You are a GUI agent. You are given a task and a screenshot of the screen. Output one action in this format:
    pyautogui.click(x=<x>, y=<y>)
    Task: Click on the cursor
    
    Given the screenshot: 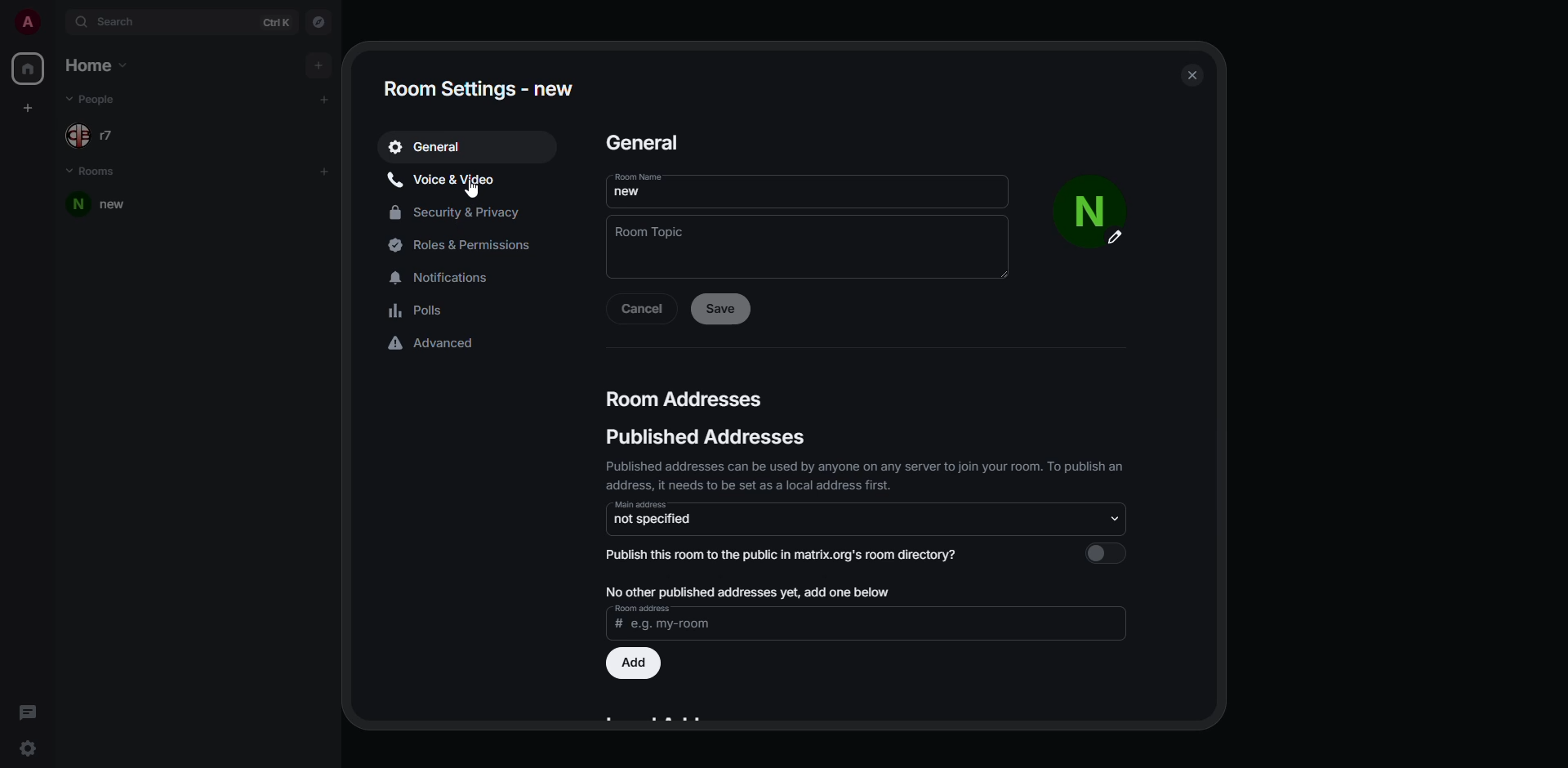 What is the action you would take?
    pyautogui.click(x=471, y=191)
    